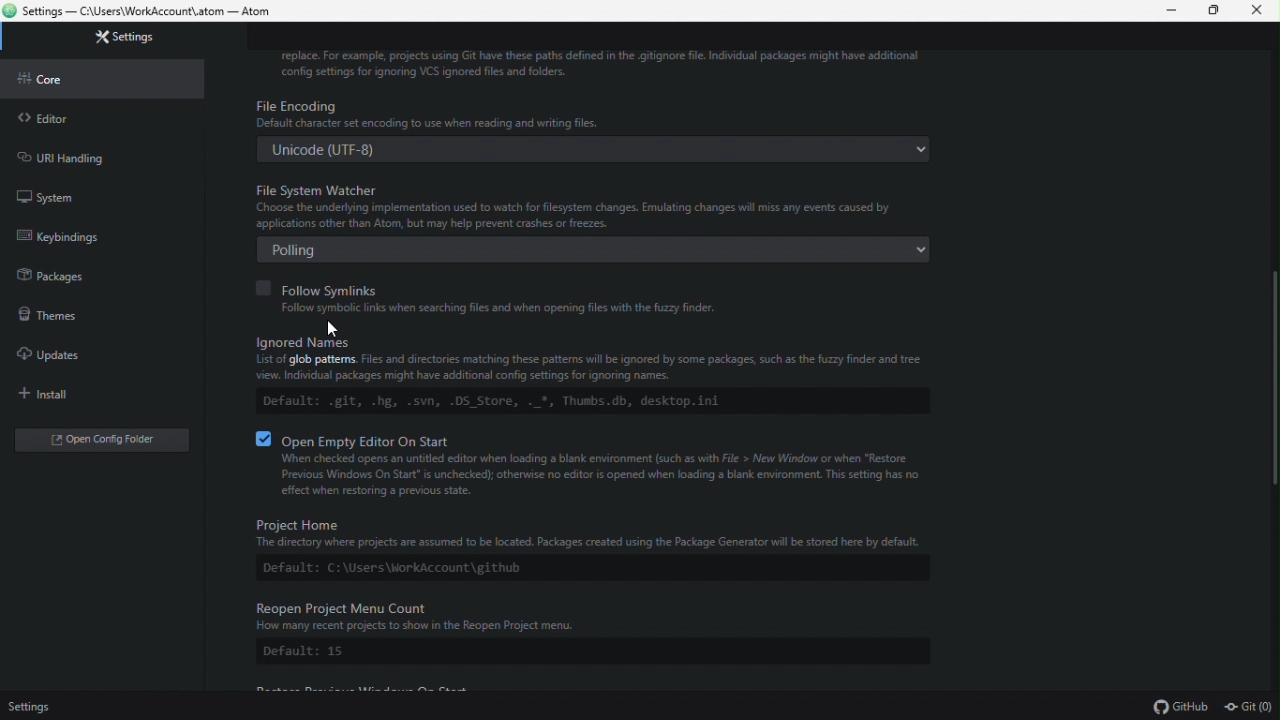 Image resolution: width=1280 pixels, height=720 pixels. Describe the element at coordinates (140, 13) in the screenshot. I see `Settings - C:\users\workAccount\.atom - Atom` at that location.